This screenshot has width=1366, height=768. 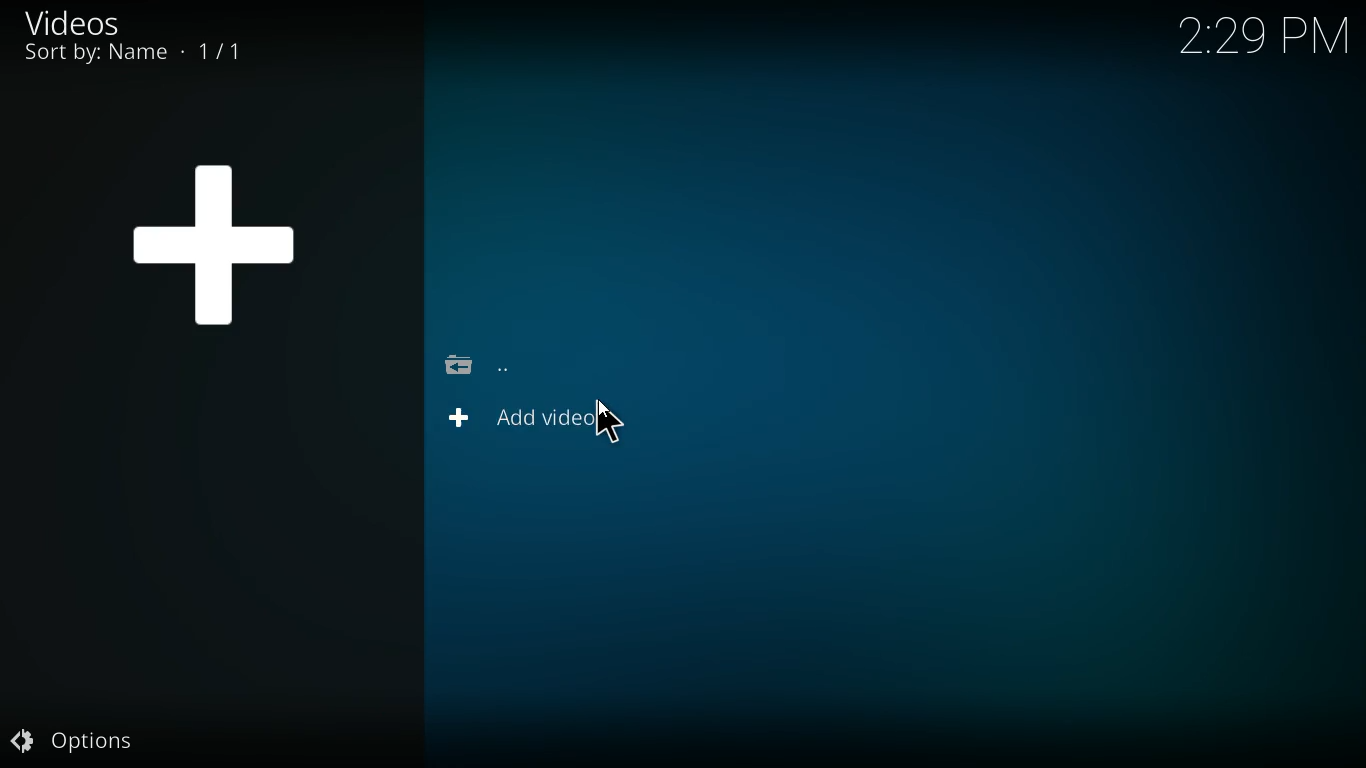 What do you see at coordinates (96, 738) in the screenshot?
I see `options` at bounding box center [96, 738].